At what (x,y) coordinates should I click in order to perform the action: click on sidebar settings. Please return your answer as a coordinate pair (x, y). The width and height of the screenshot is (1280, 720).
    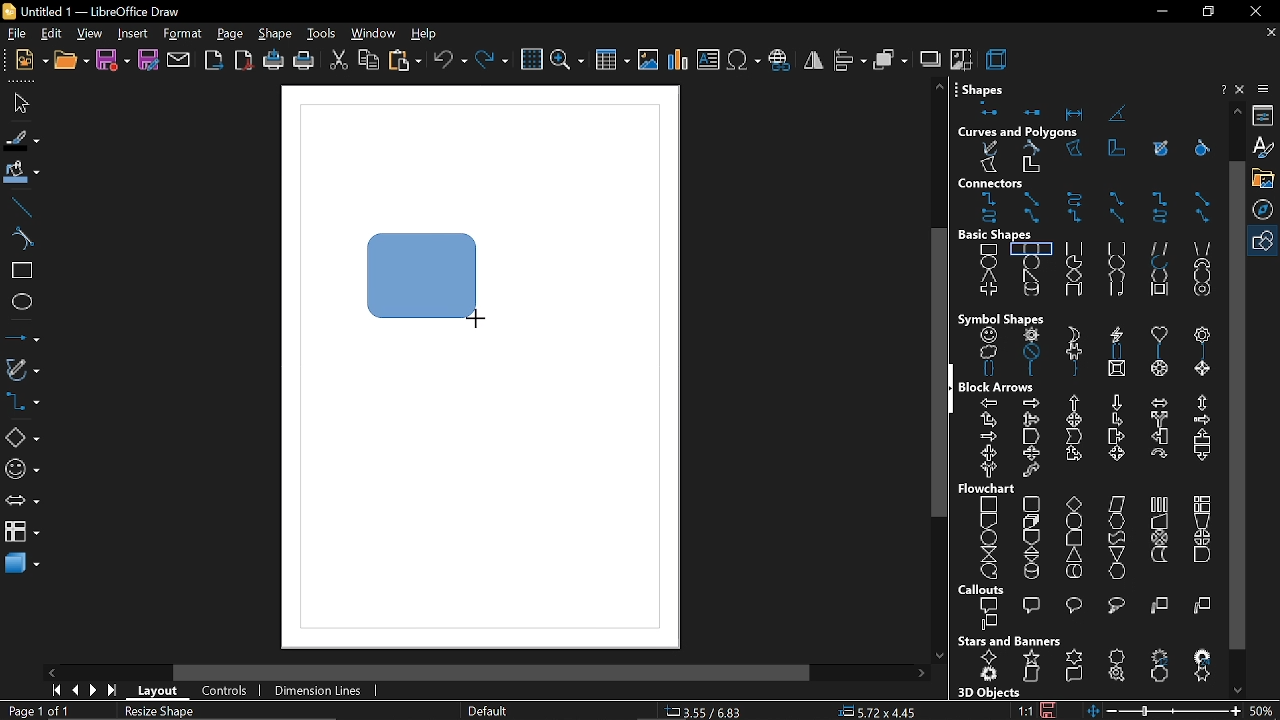
    Looking at the image, I should click on (1265, 89).